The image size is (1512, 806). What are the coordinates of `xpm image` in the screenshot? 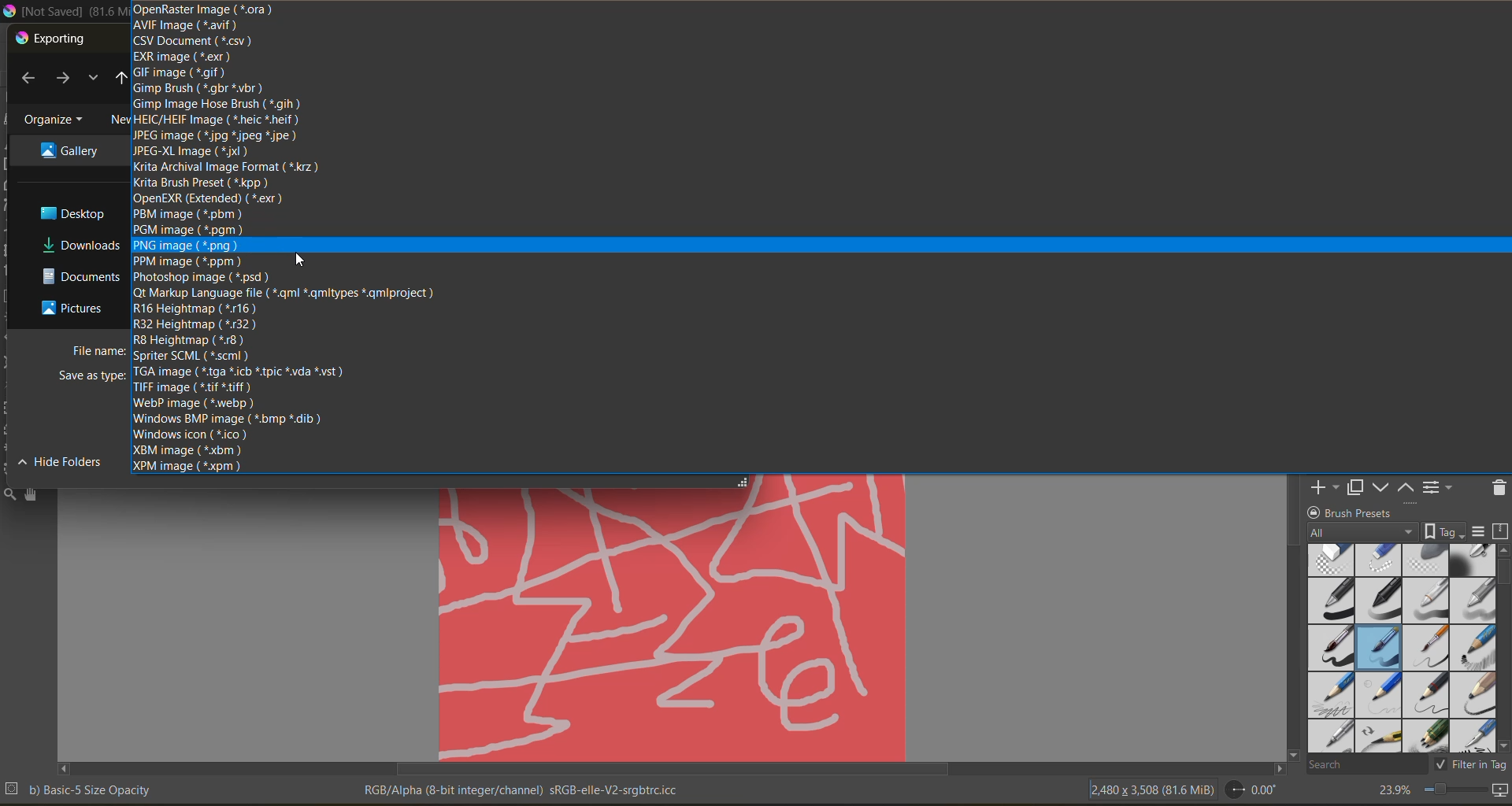 It's located at (187, 465).